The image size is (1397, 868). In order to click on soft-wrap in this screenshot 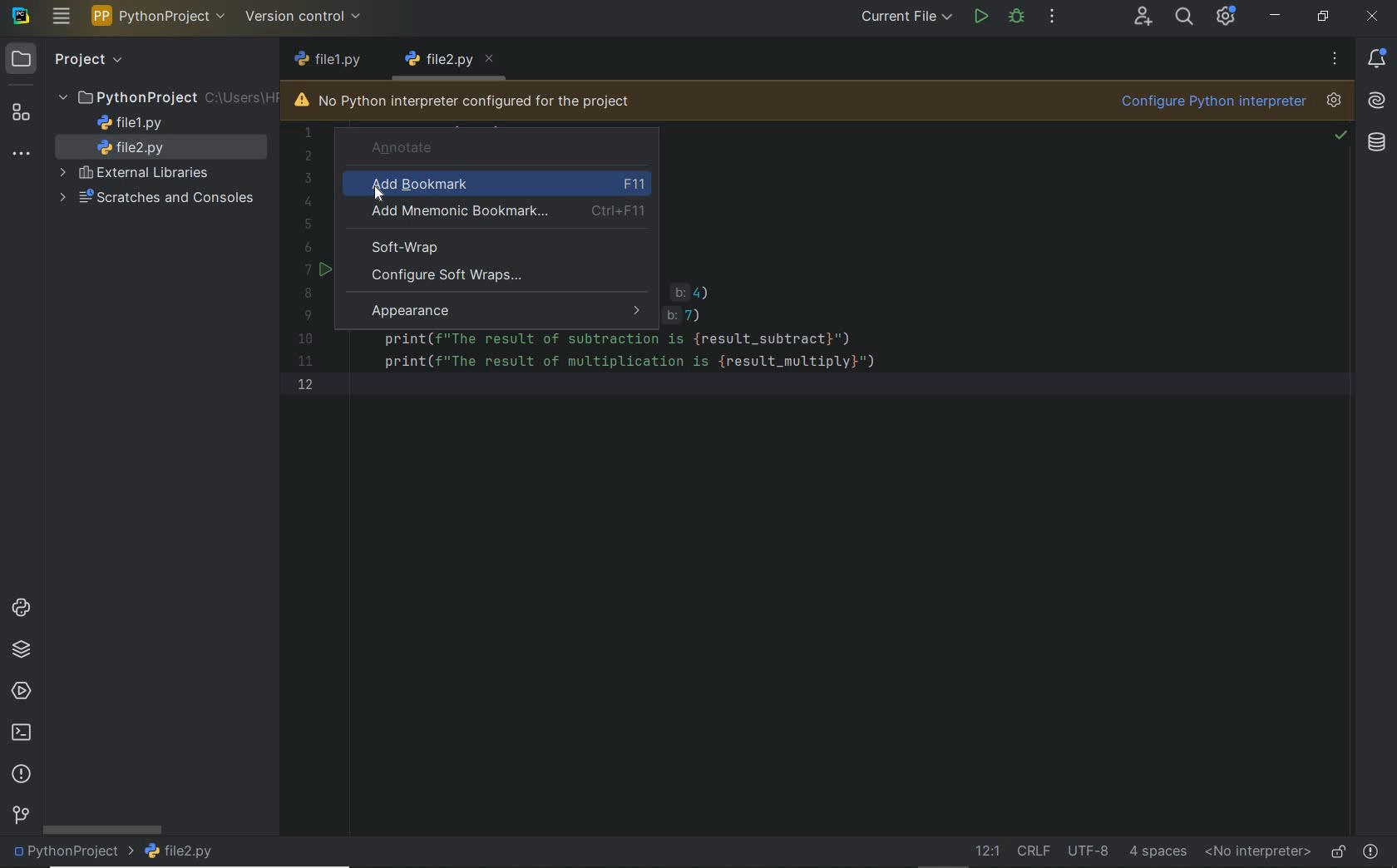, I will do `click(402, 248)`.